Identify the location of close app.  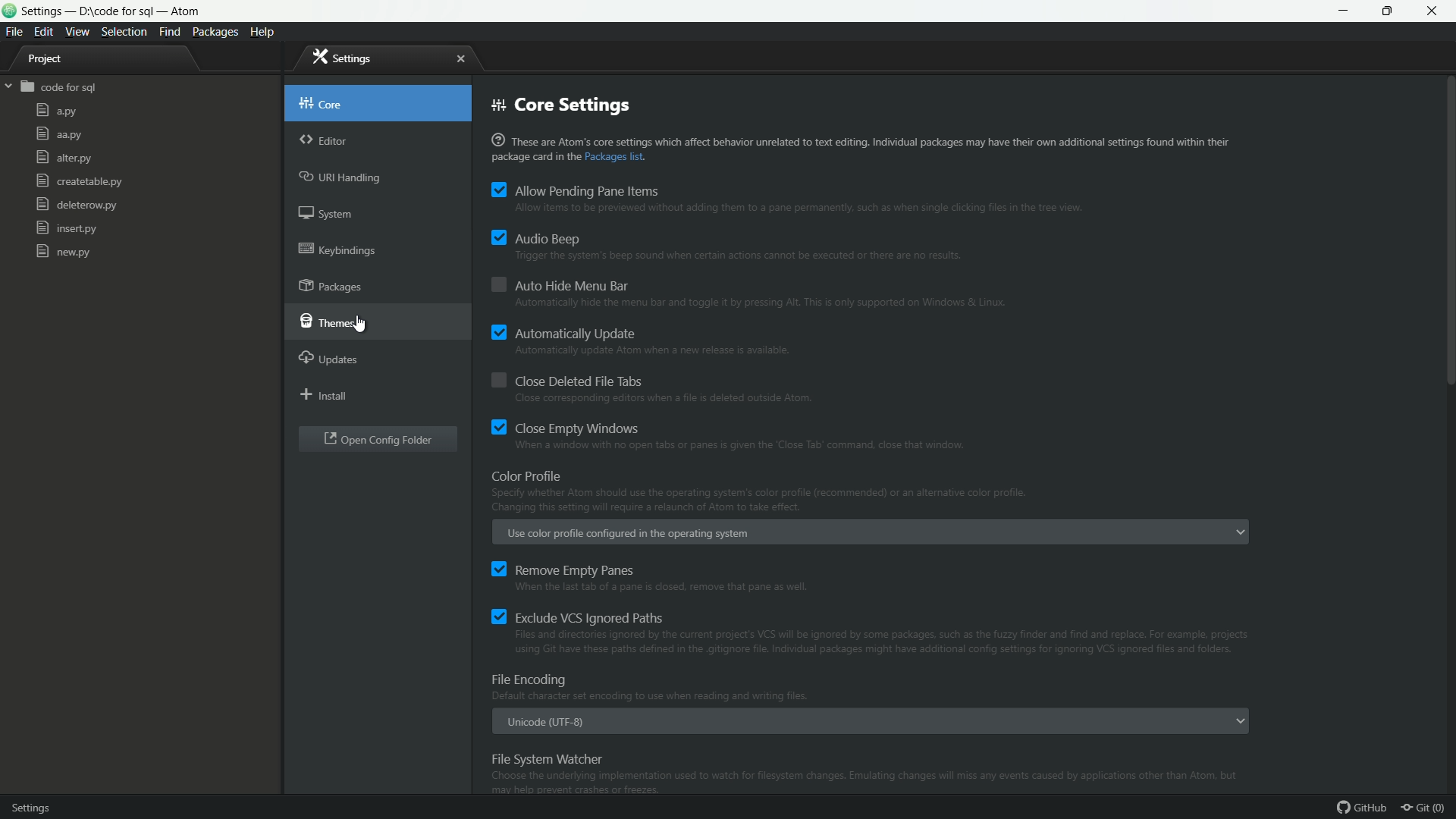
(1437, 11).